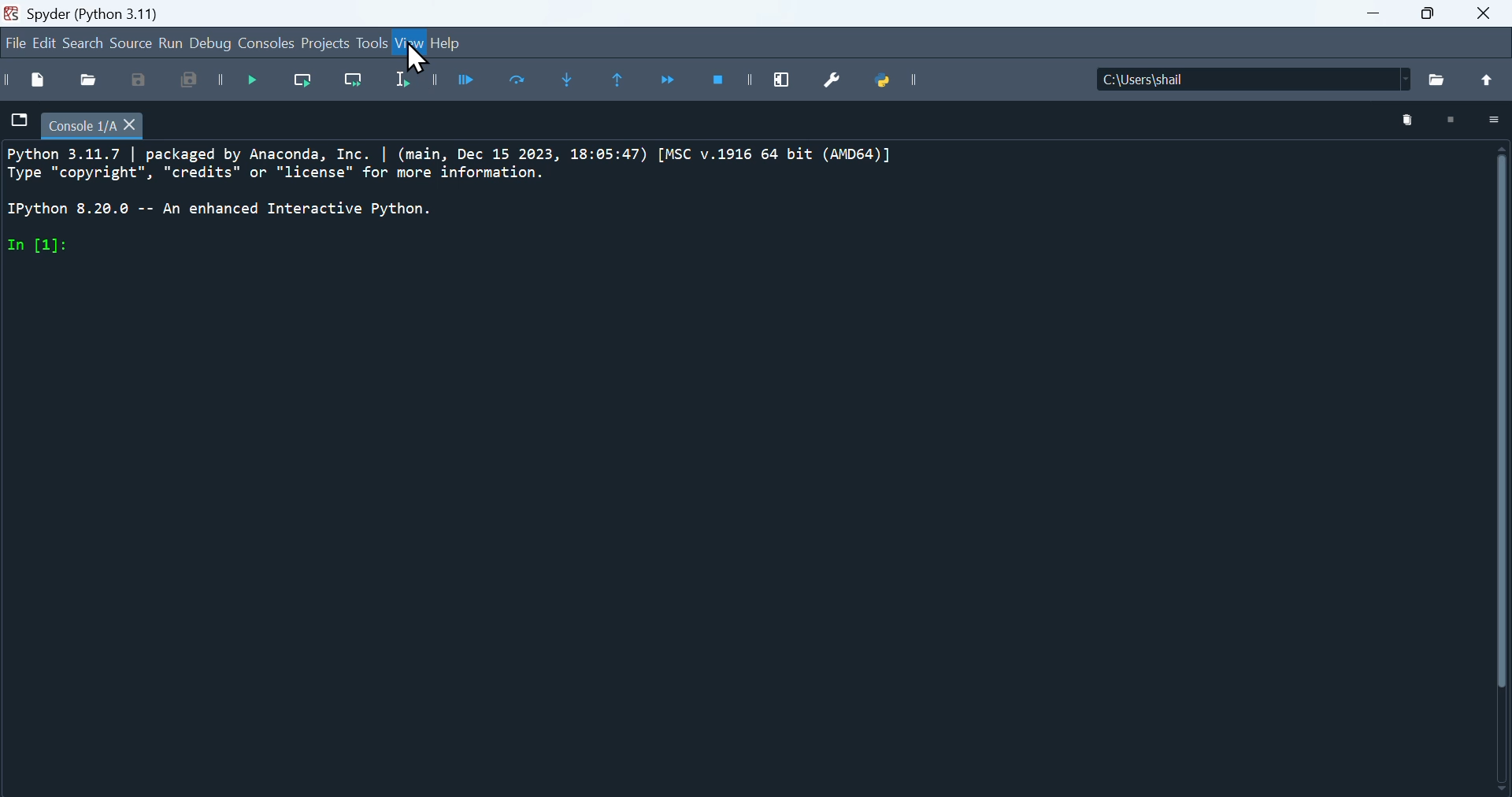  I want to click on Debug, so click(214, 43).